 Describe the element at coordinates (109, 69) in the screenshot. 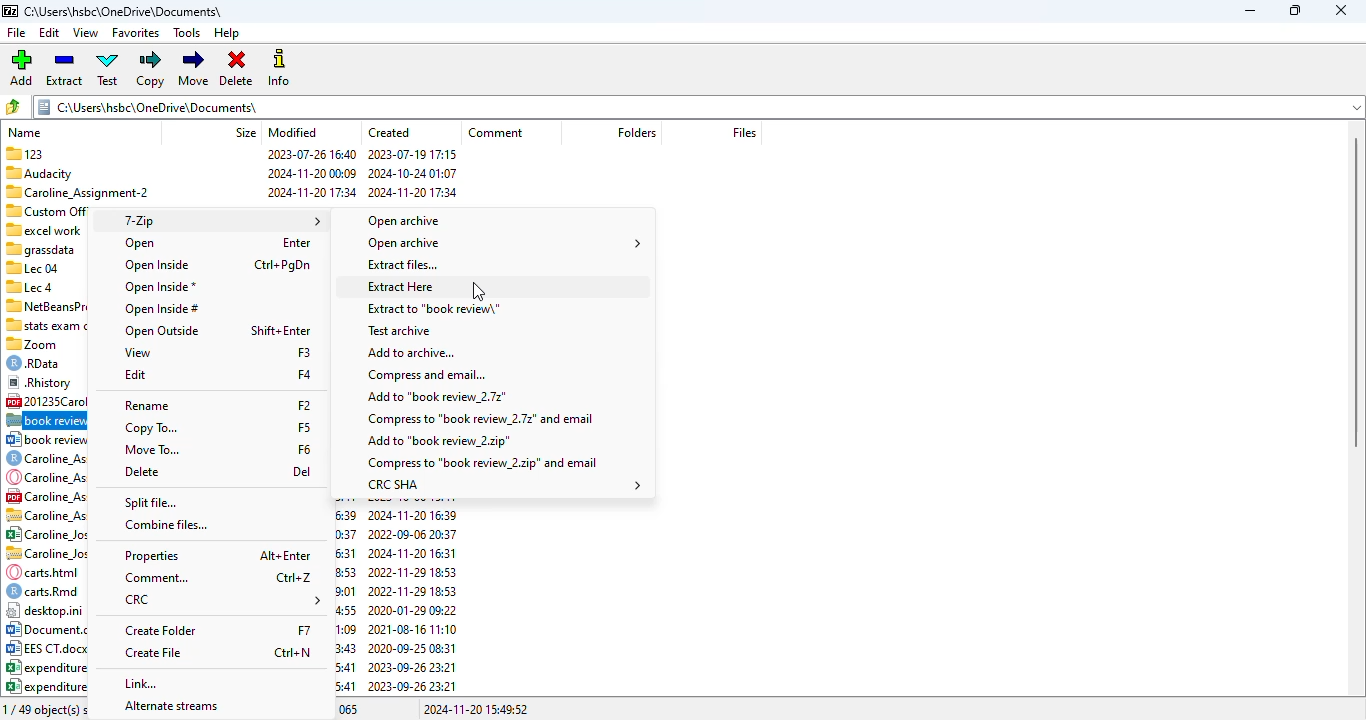

I see `test` at that location.